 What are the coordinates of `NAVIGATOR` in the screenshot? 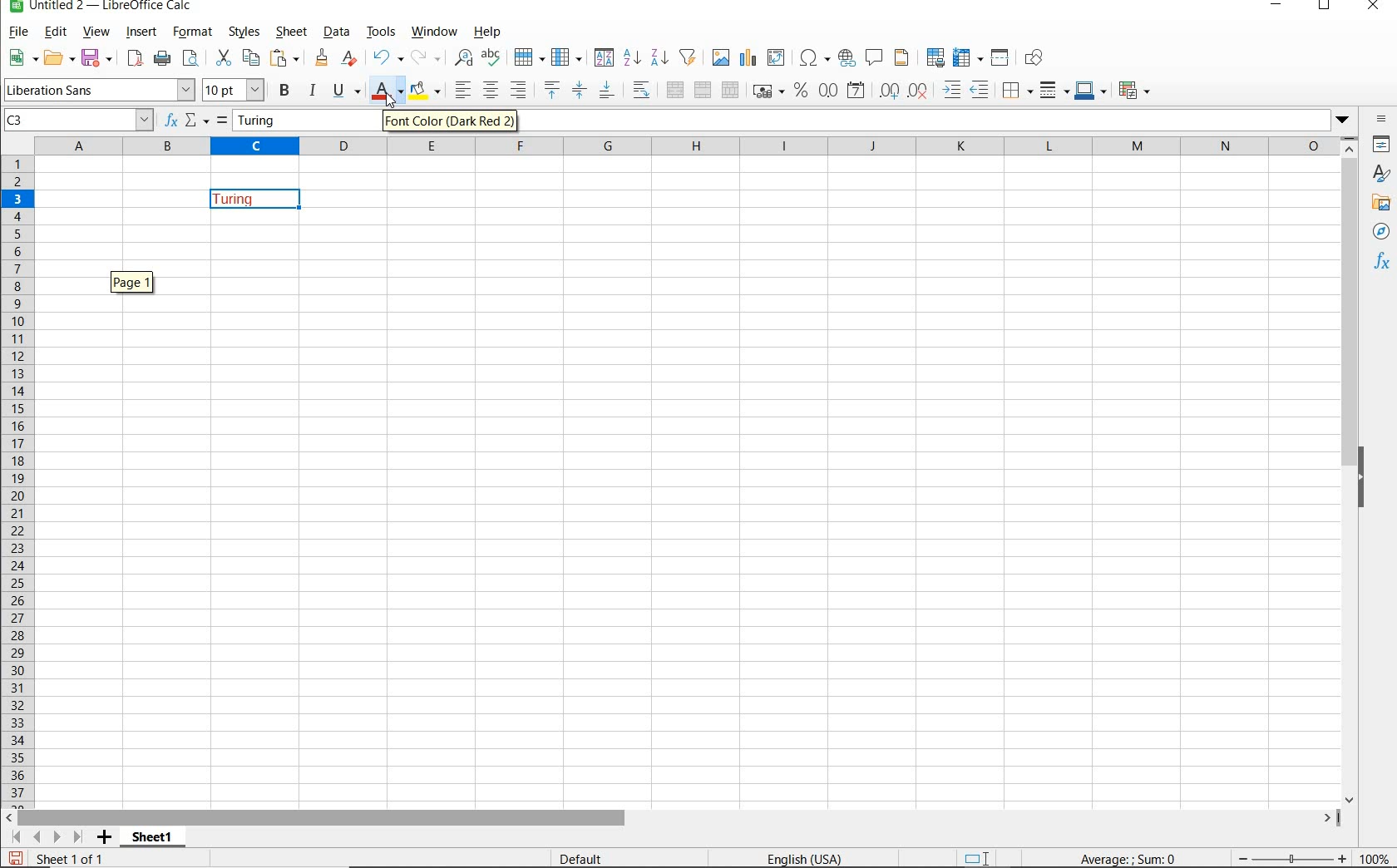 It's located at (1383, 233).